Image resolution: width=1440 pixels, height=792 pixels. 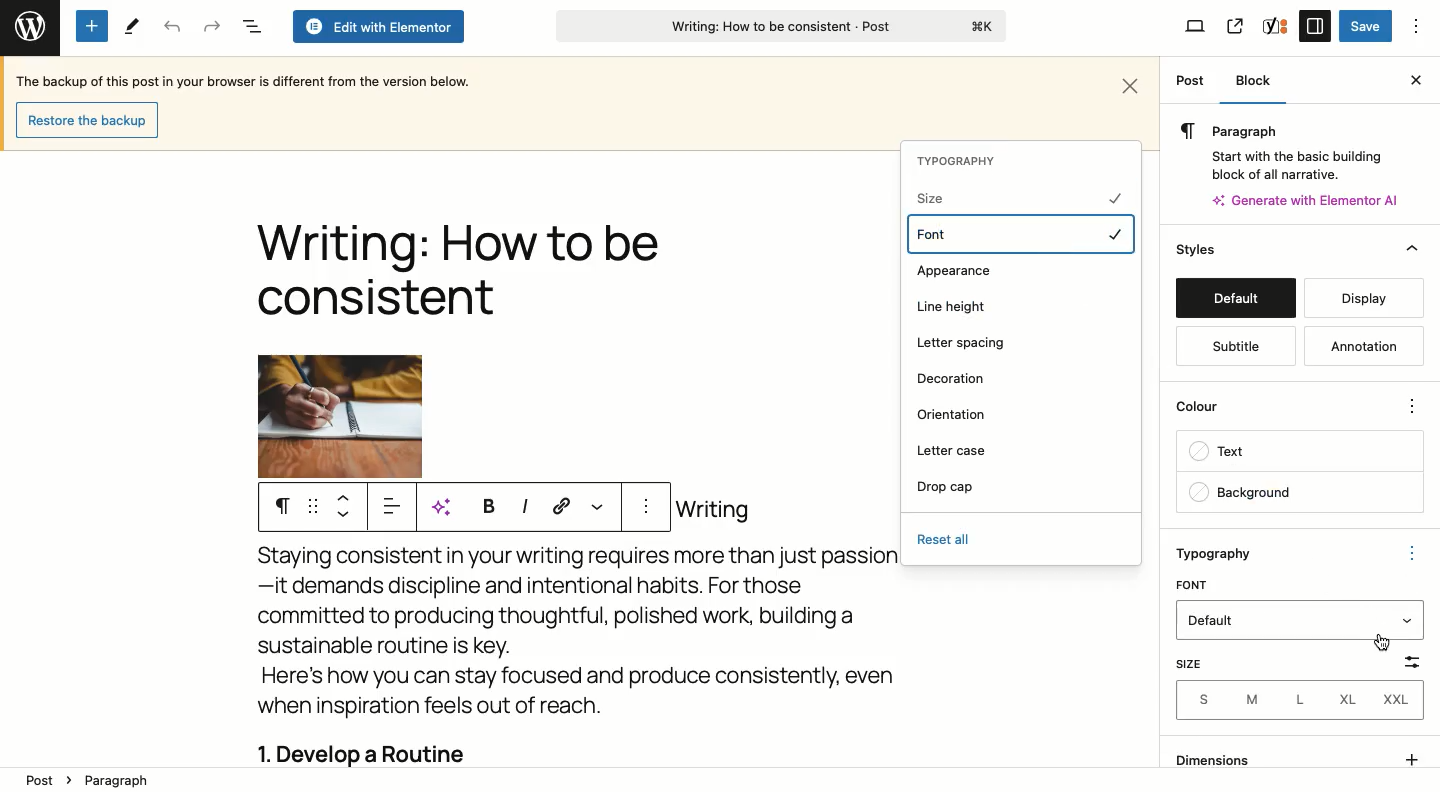 What do you see at coordinates (1365, 27) in the screenshot?
I see `Save` at bounding box center [1365, 27].